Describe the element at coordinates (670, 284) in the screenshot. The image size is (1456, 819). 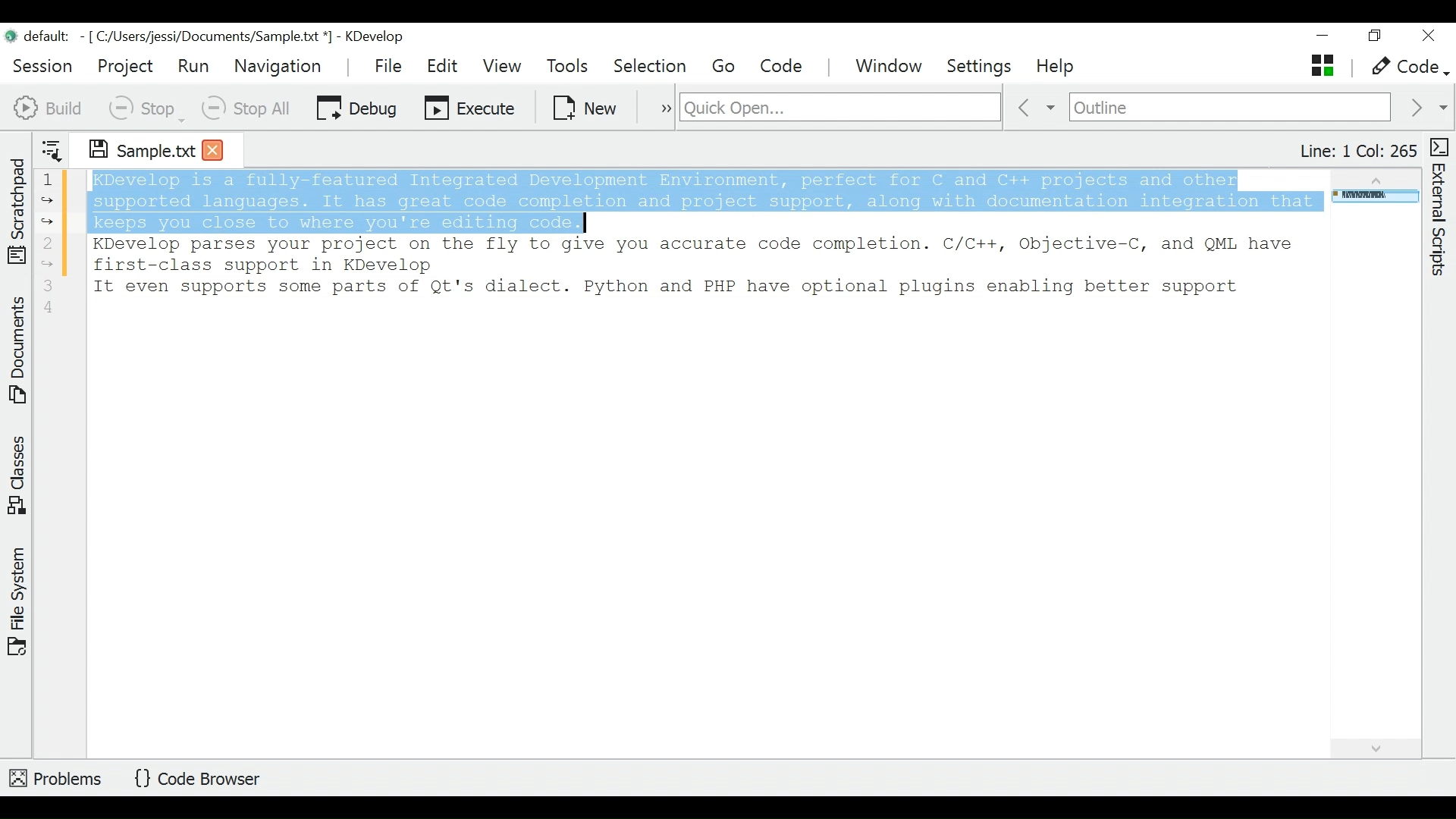
I see `2 KDevelop parses your project on the fly to give you accurate code completion. C/C++, Objective-C, and QML have first-class support in KDevelop. 3 It even supports some parts of Qt's dialect. Python and PHP have optional plugins enabling better support` at that location.